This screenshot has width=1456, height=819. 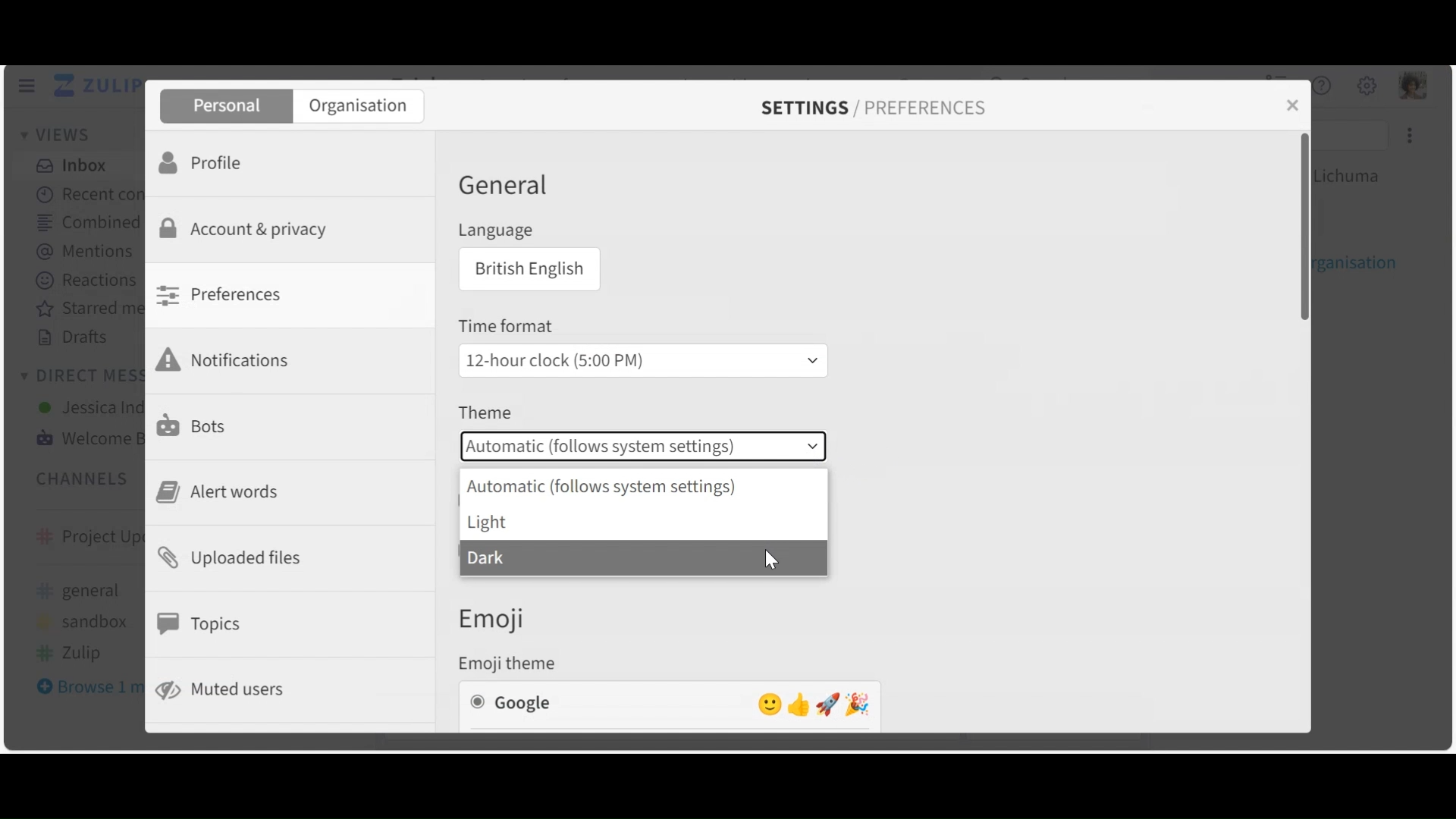 I want to click on Settings/Preferences, so click(x=873, y=108).